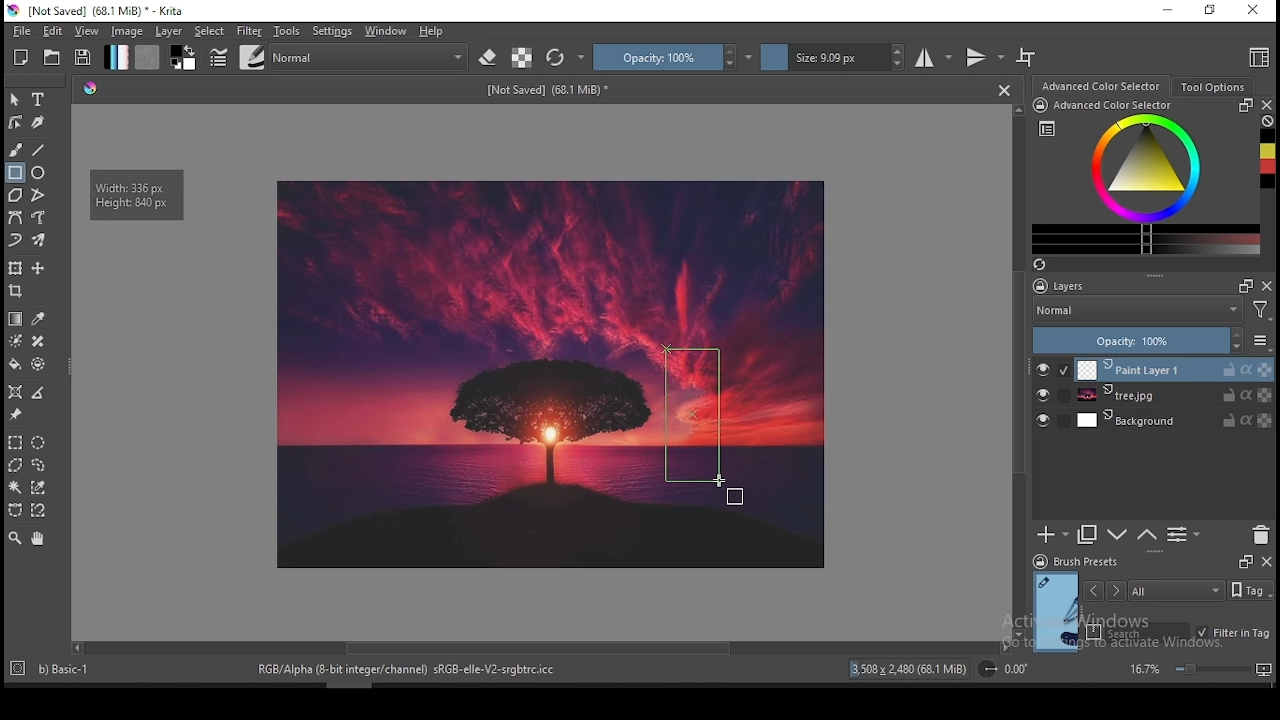 This screenshot has width=1280, height=720. I want to click on gradient fill, so click(117, 57).